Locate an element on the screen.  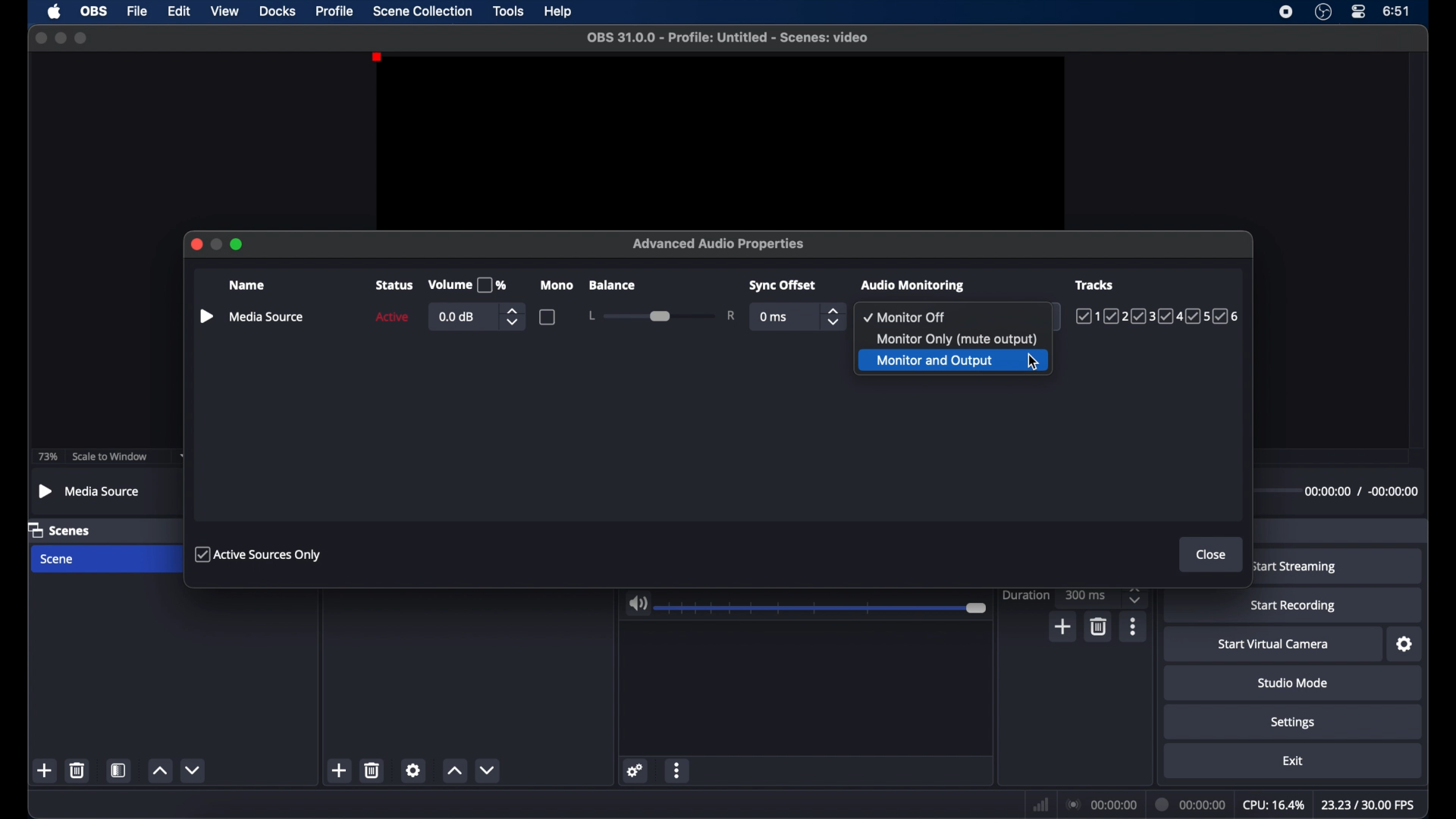
delete is located at coordinates (1100, 627).